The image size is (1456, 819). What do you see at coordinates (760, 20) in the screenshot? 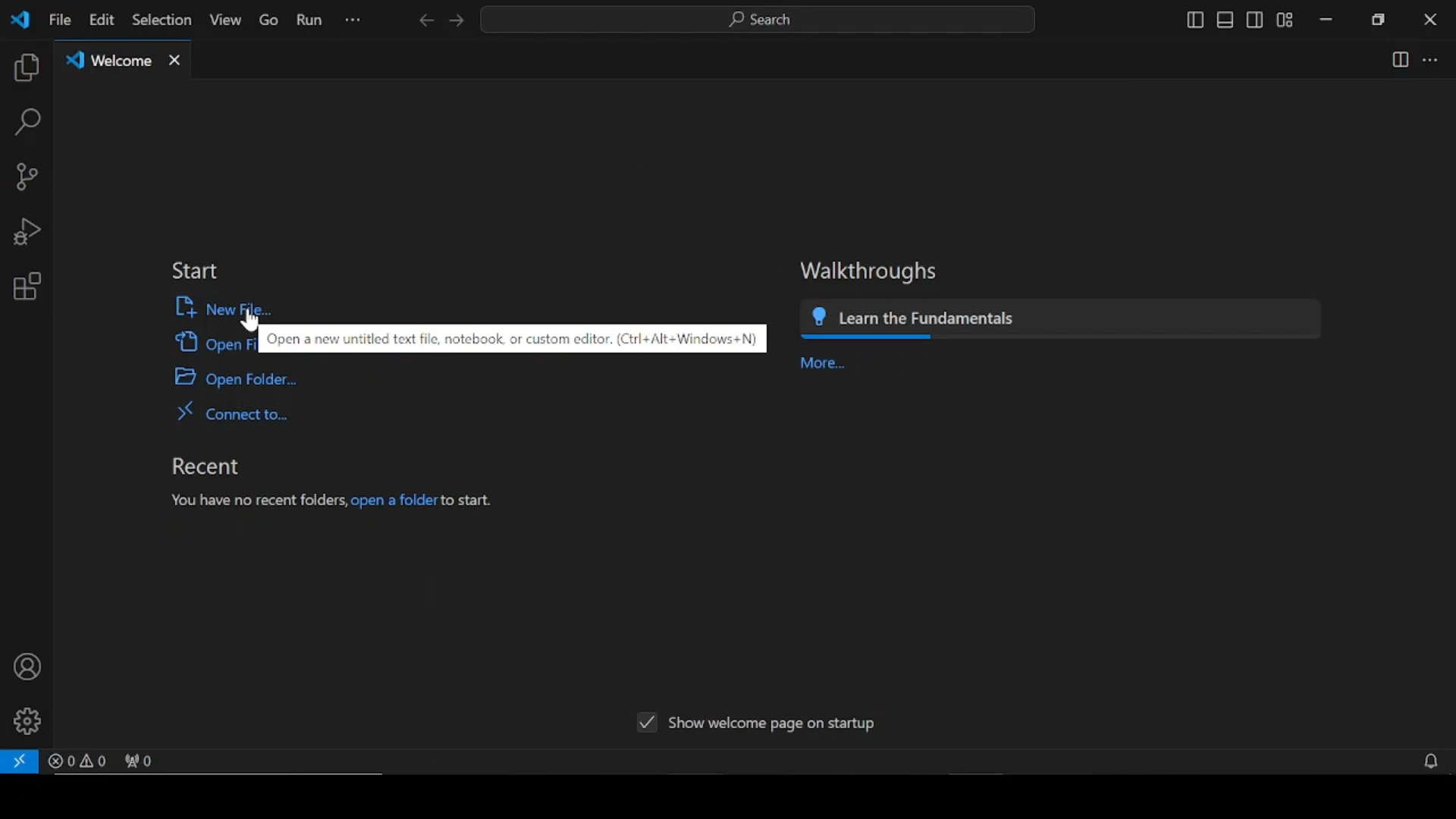
I see `search bar` at bounding box center [760, 20].